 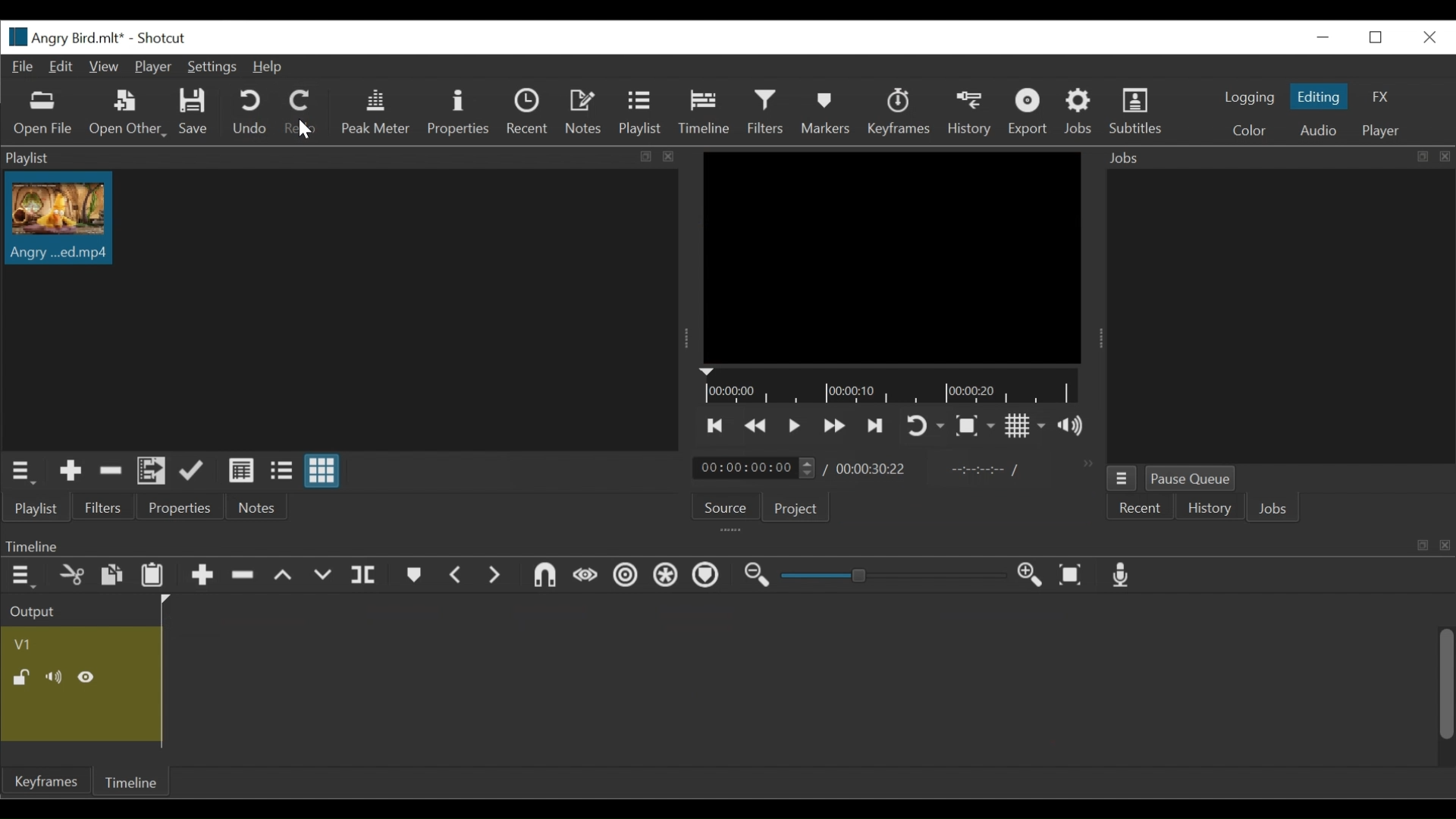 I want to click on Timeline, so click(x=726, y=544).